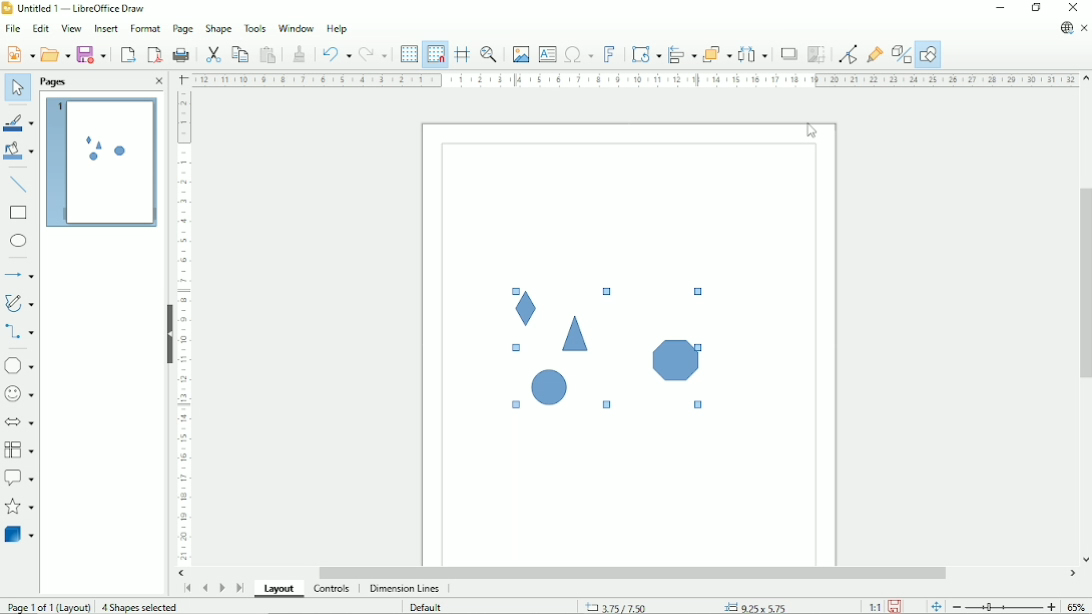 This screenshot has width=1092, height=614. Describe the element at coordinates (255, 27) in the screenshot. I see `Tools` at that location.